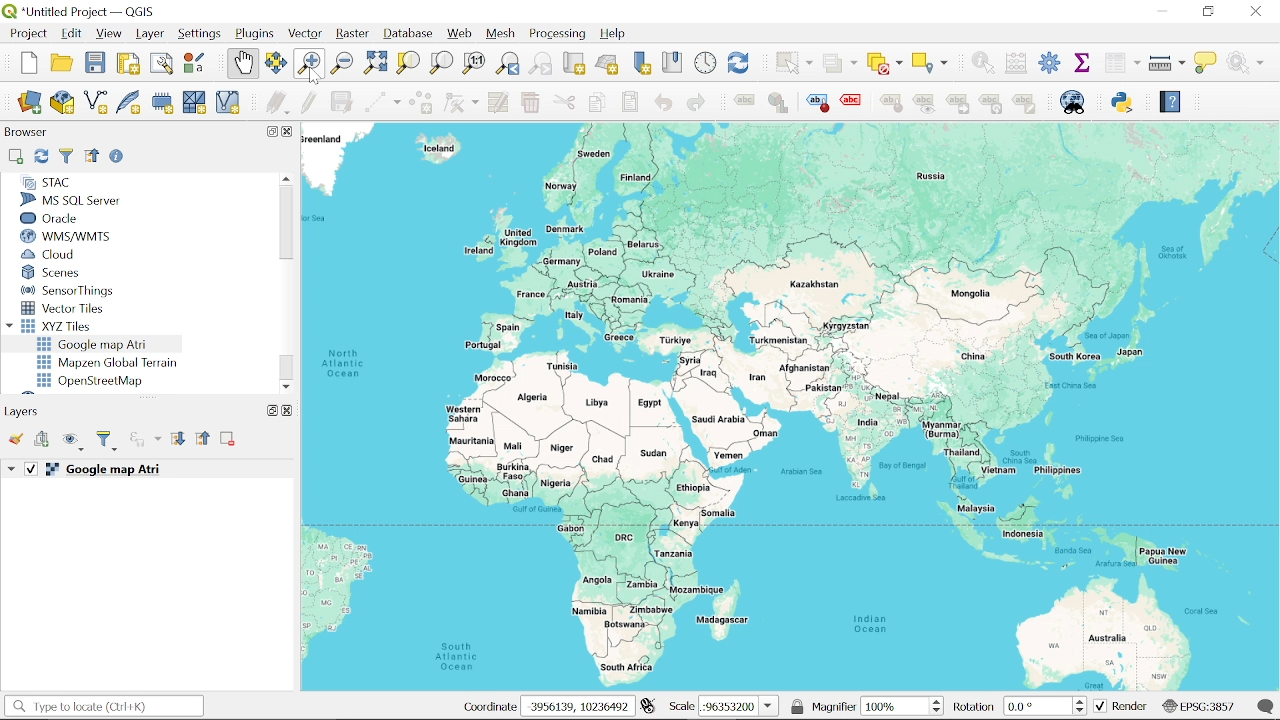  Describe the element at coordinates (109, 35) in the screenshot. I see `View` at that location.